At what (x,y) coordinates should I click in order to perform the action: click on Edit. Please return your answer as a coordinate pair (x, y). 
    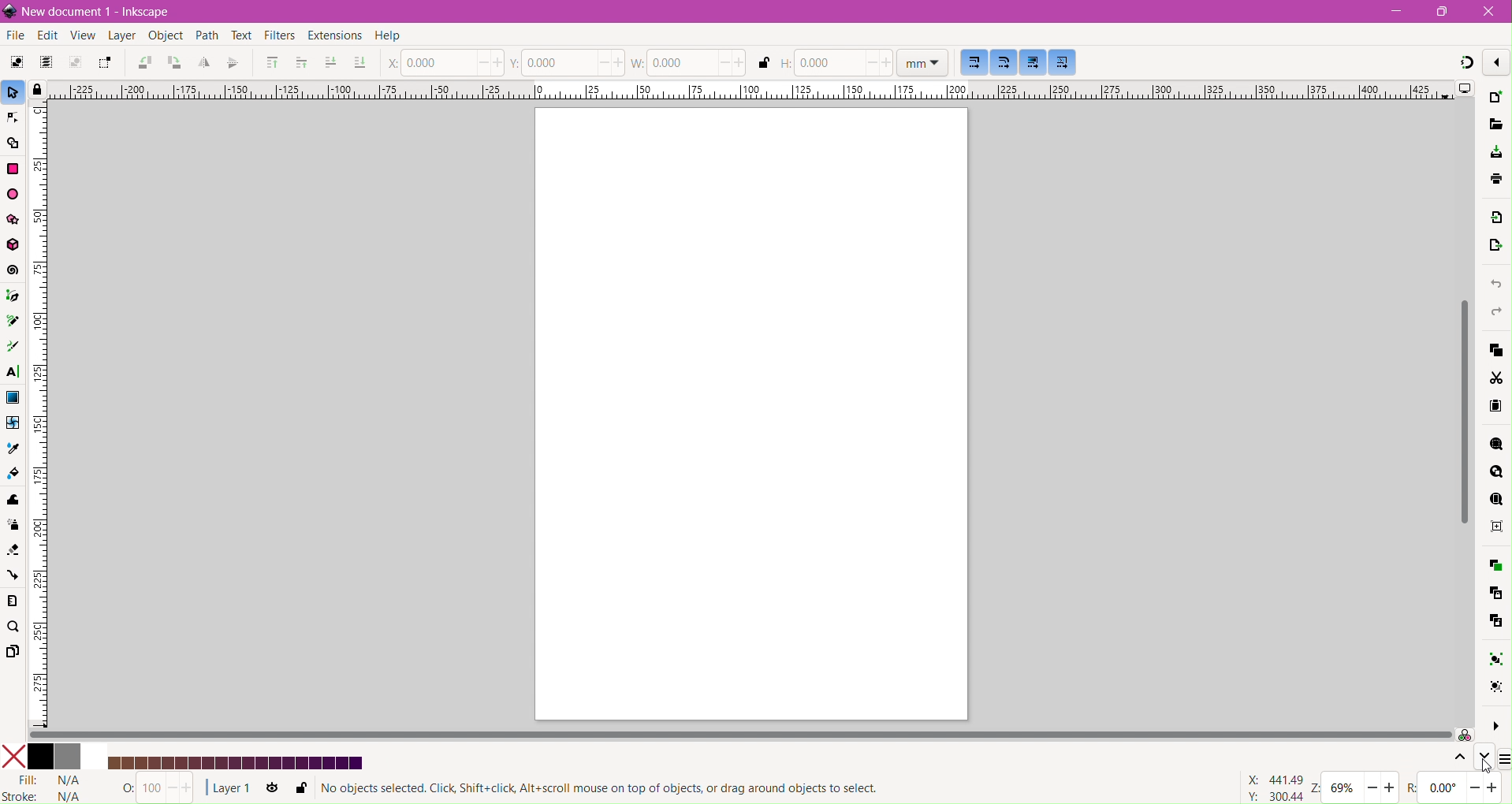
    Looking at the image, I should click on (45, 35).